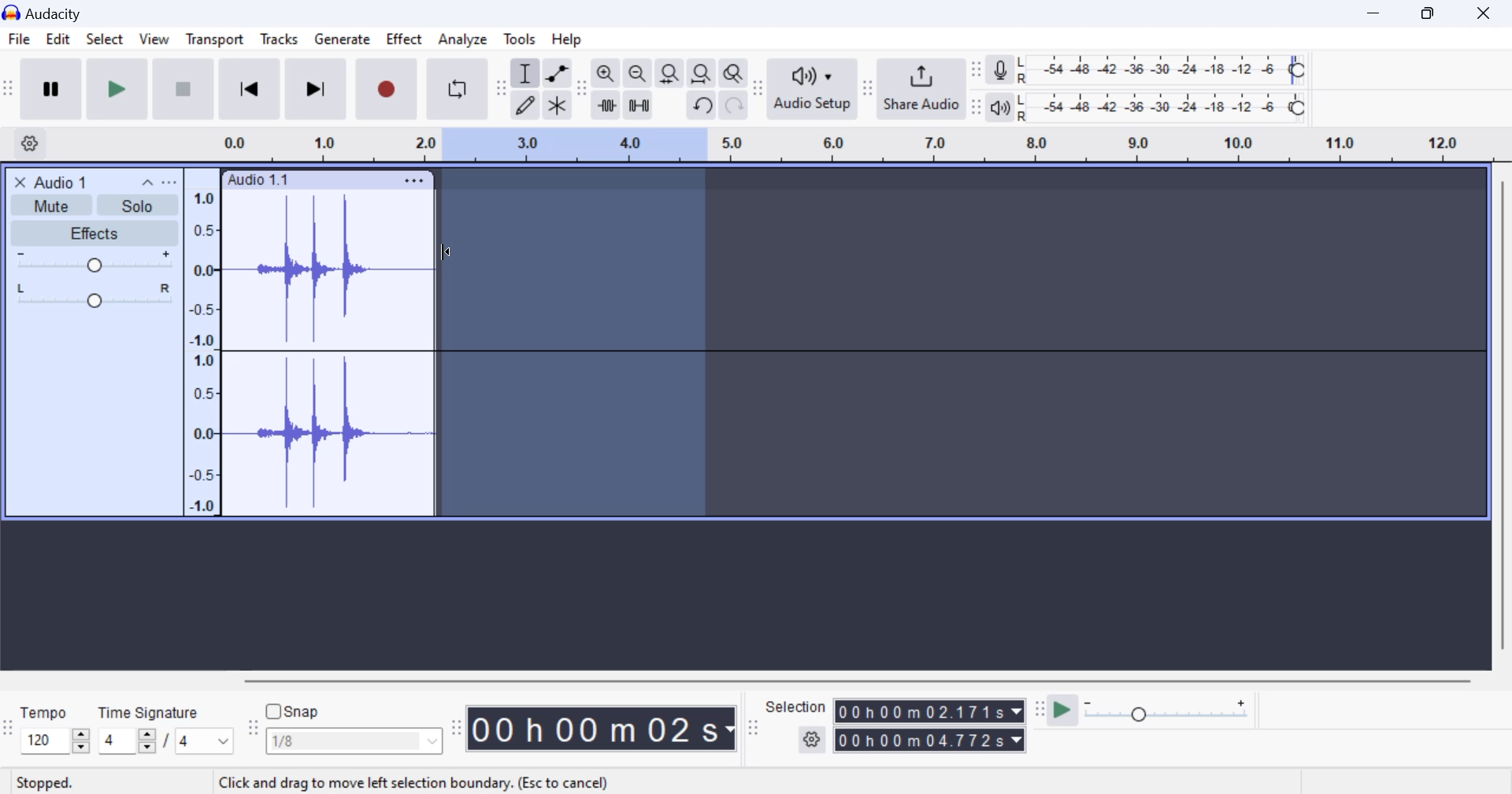 The image size is (1512, 794). I want to click on fit selection to width, so click(668, 75).